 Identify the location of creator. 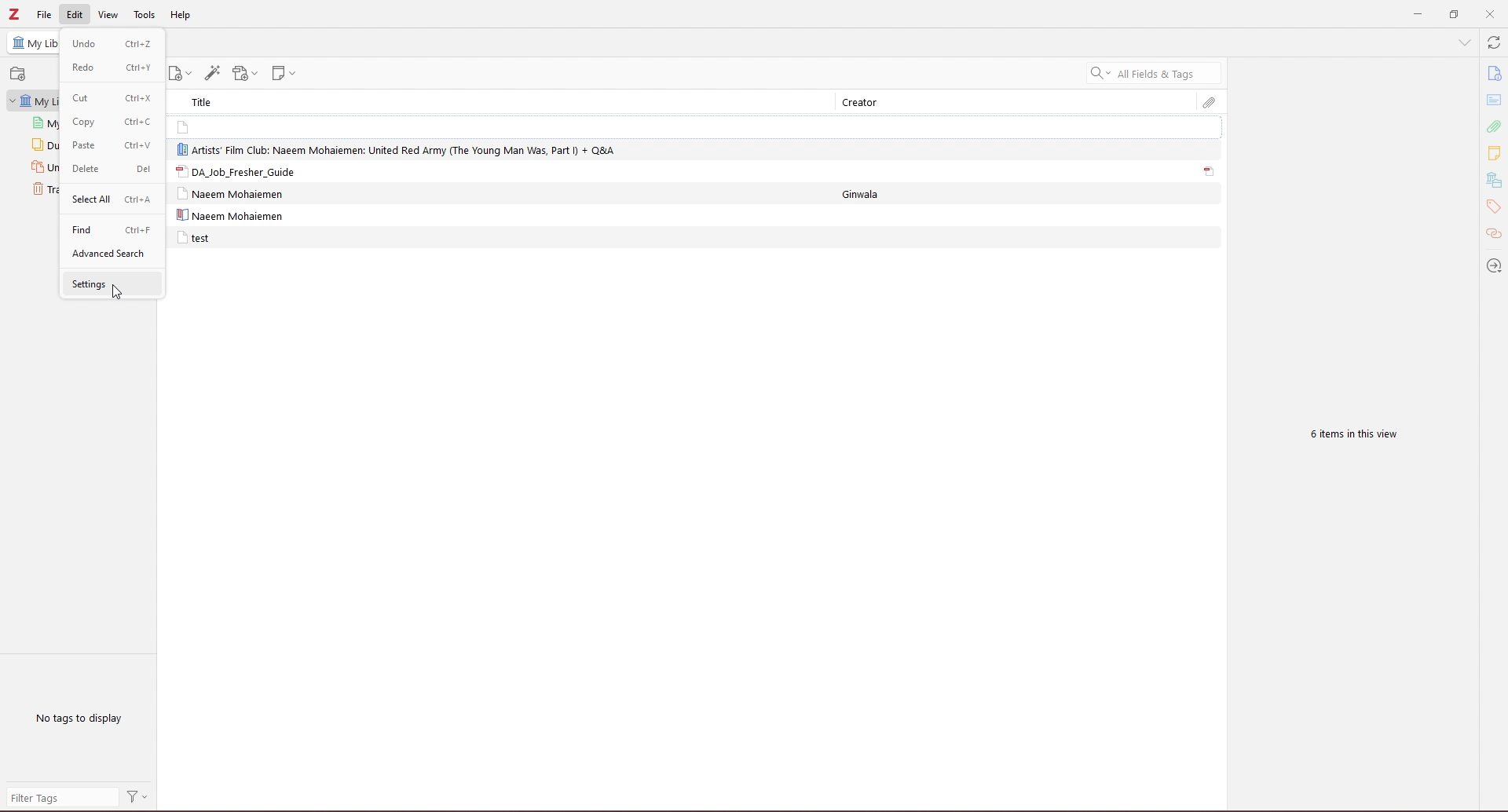
(868, 103).